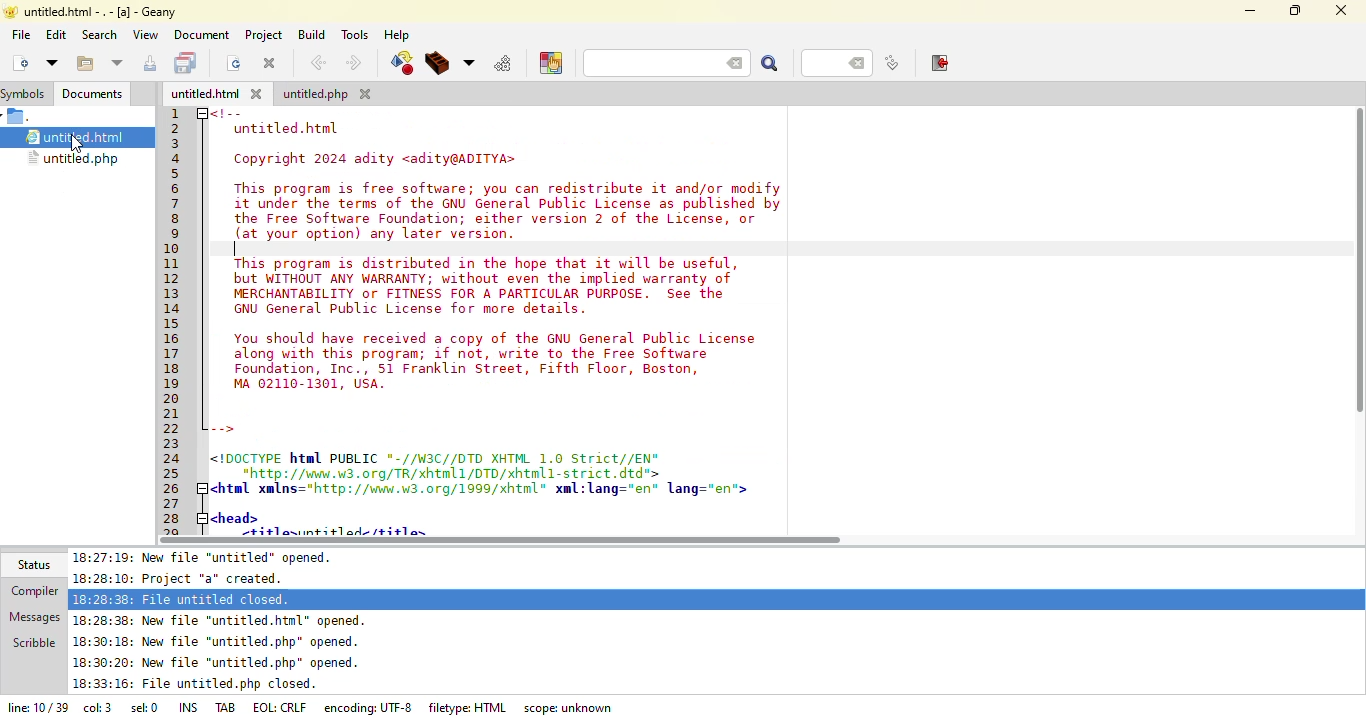 Image resolution: width=1366 pixels, height=718 pixels. Describe the element at coordinates (183, 707) in the screenshot. I see `ins` at that location.